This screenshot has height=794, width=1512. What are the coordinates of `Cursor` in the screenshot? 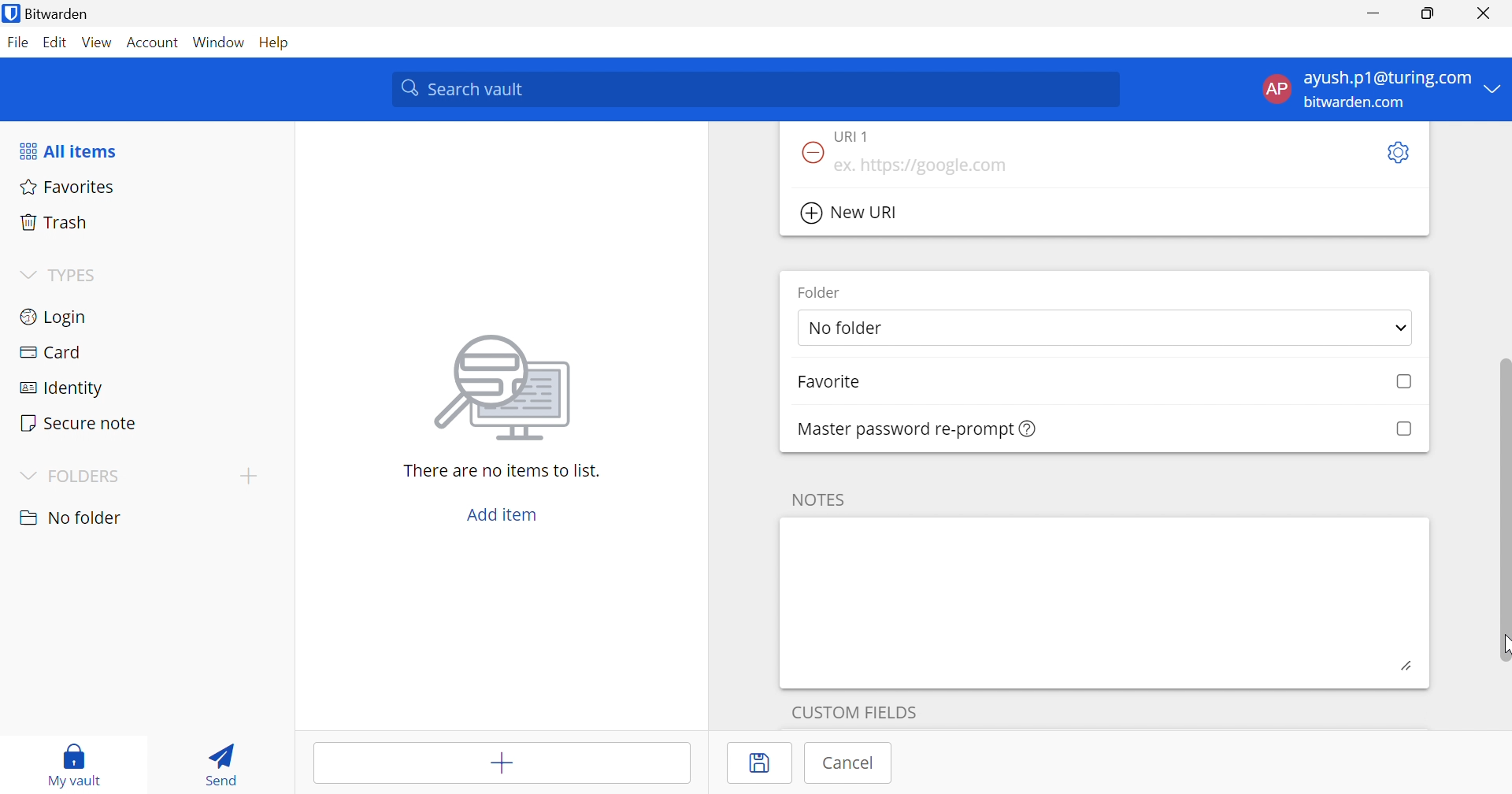 It's located at (1503, 647).